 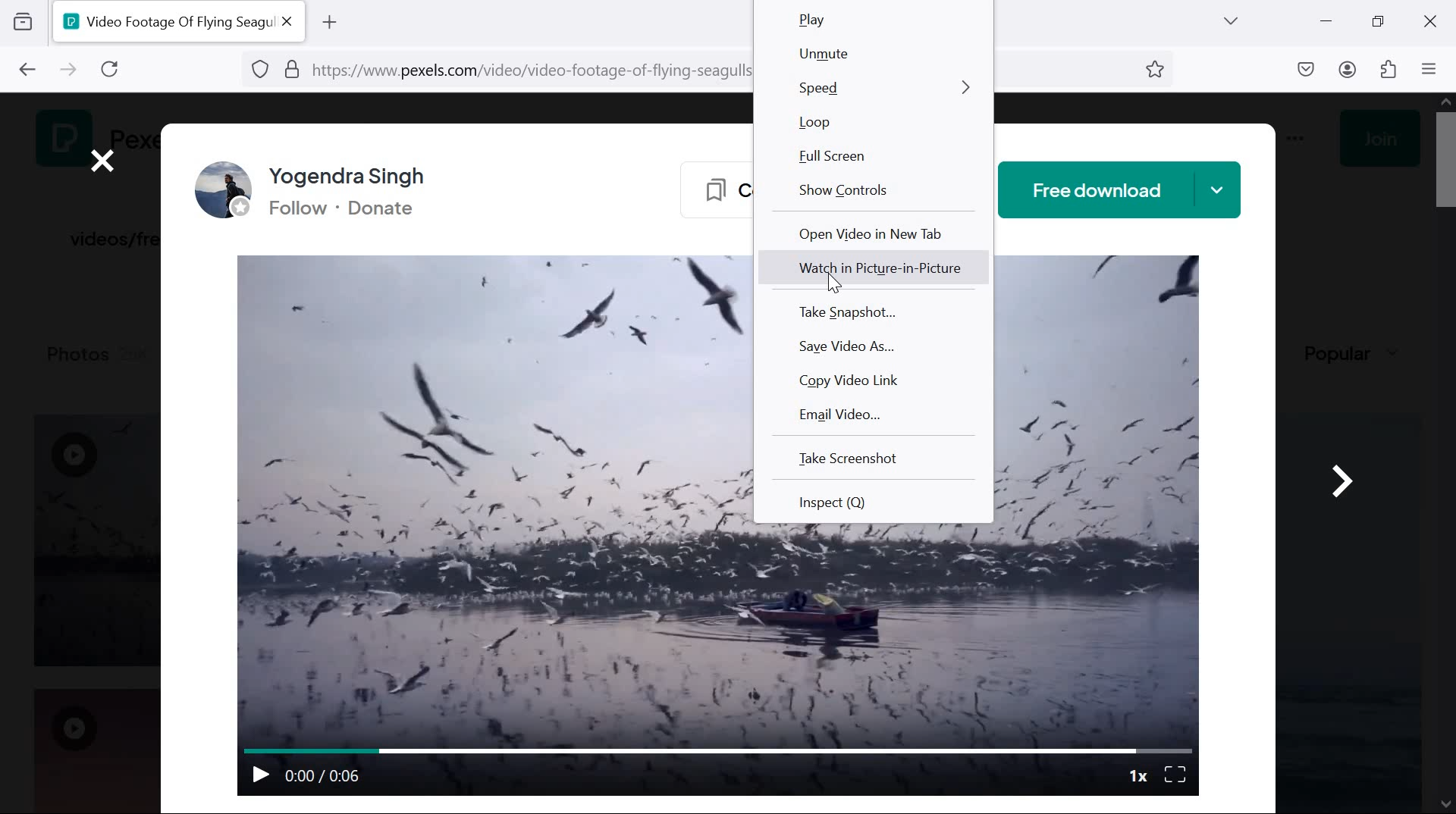 What do you see at coordinates (1351, 70) in the screenshot?
I see `account` at bounding box center [1351, 70].